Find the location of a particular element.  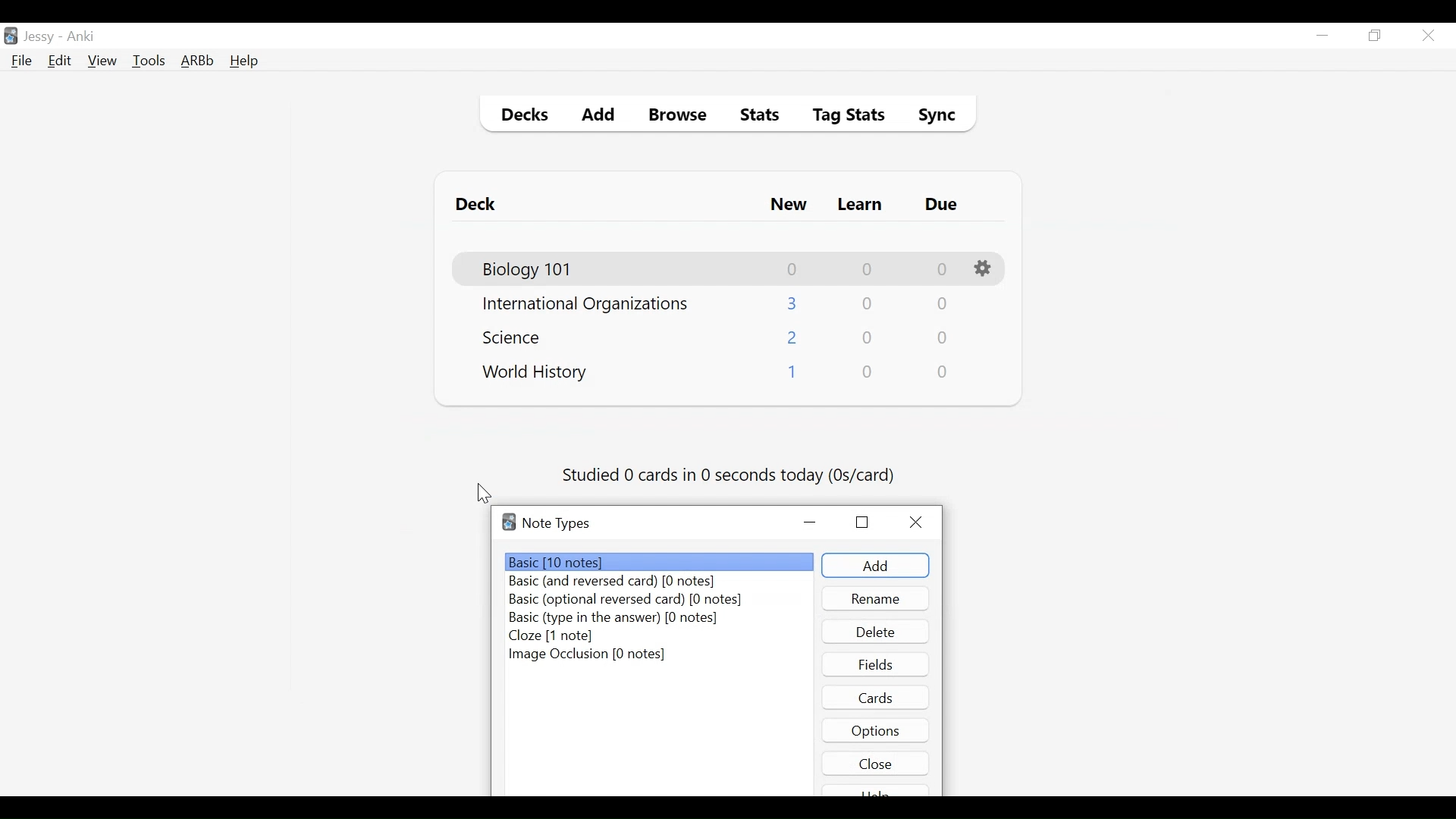

Add is located at coordinates (599, 117).